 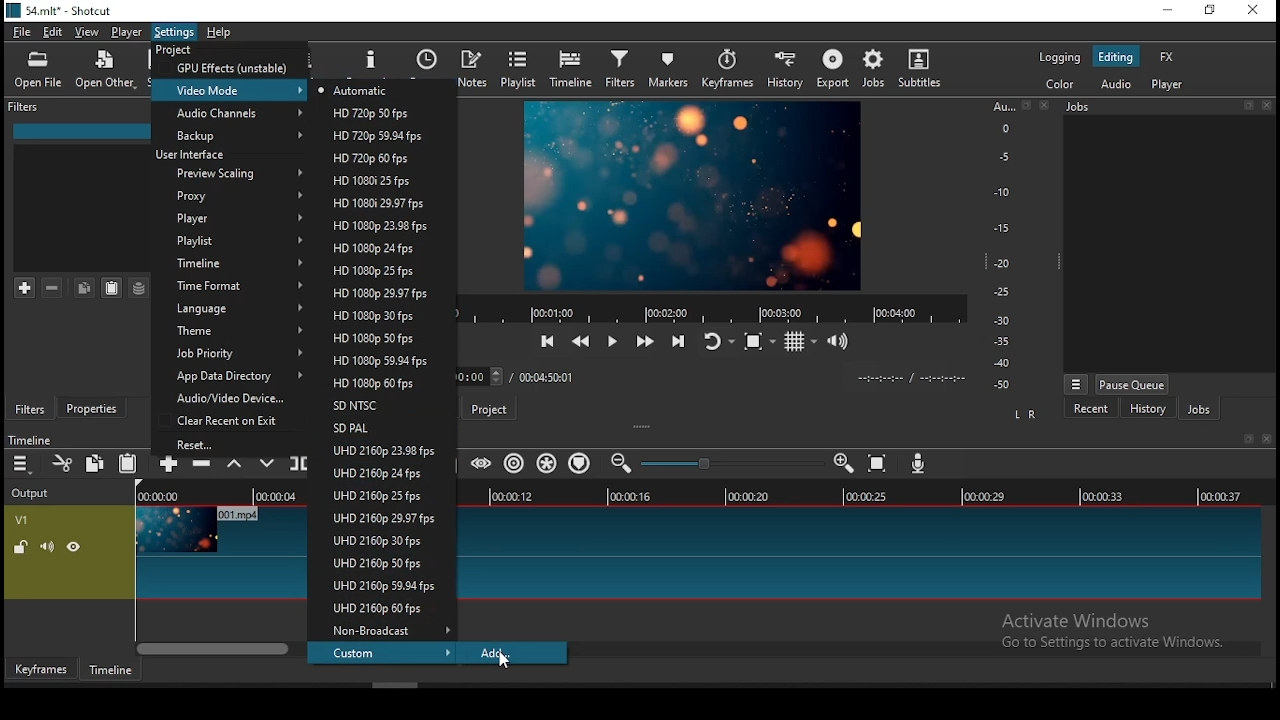 What do you see at coordinates (375, 202) in the screenshot?
I see `resolution option` at bounding box center [375, 202].